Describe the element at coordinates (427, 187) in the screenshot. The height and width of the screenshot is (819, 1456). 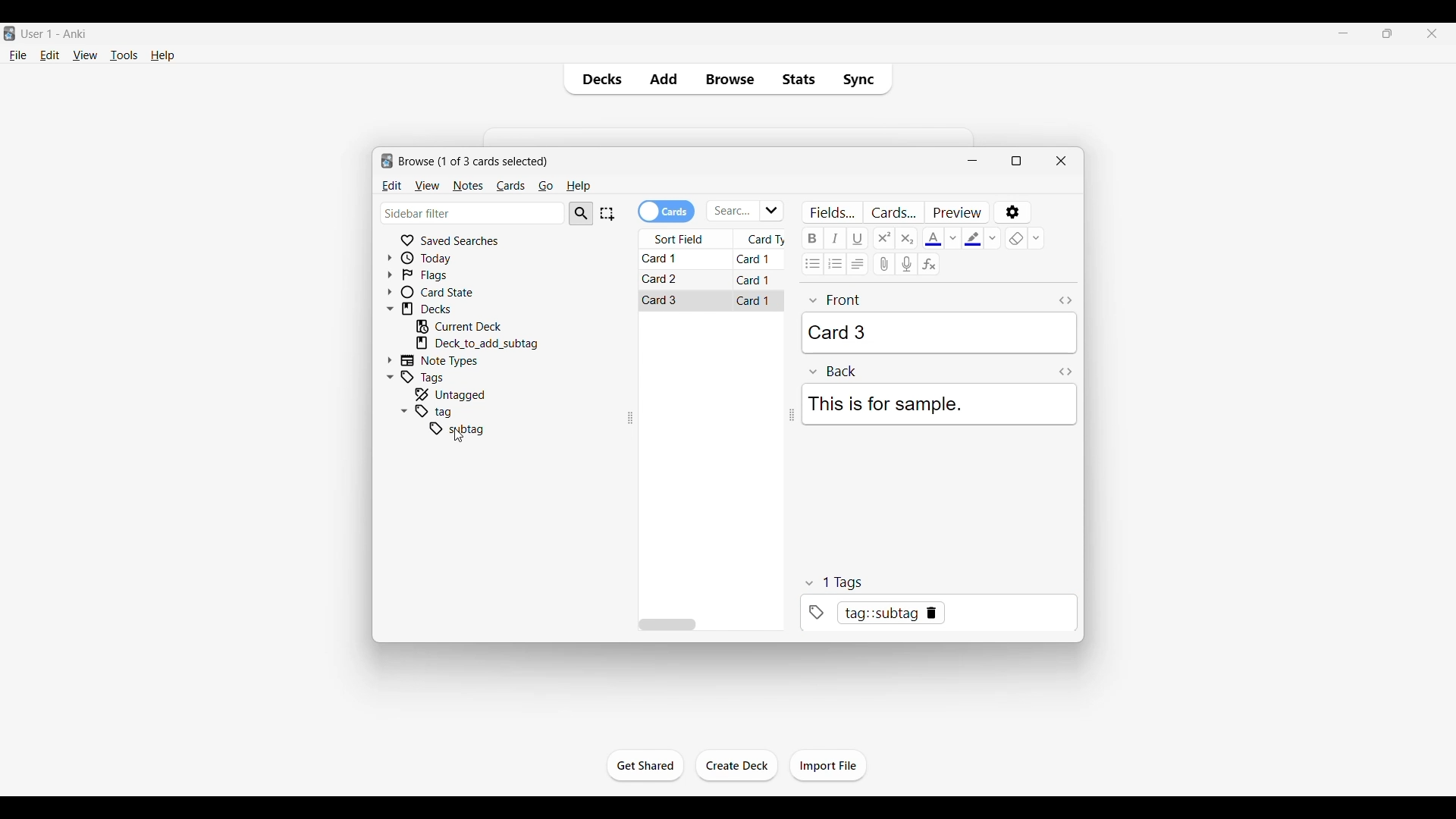
I see `View menu` at that location.